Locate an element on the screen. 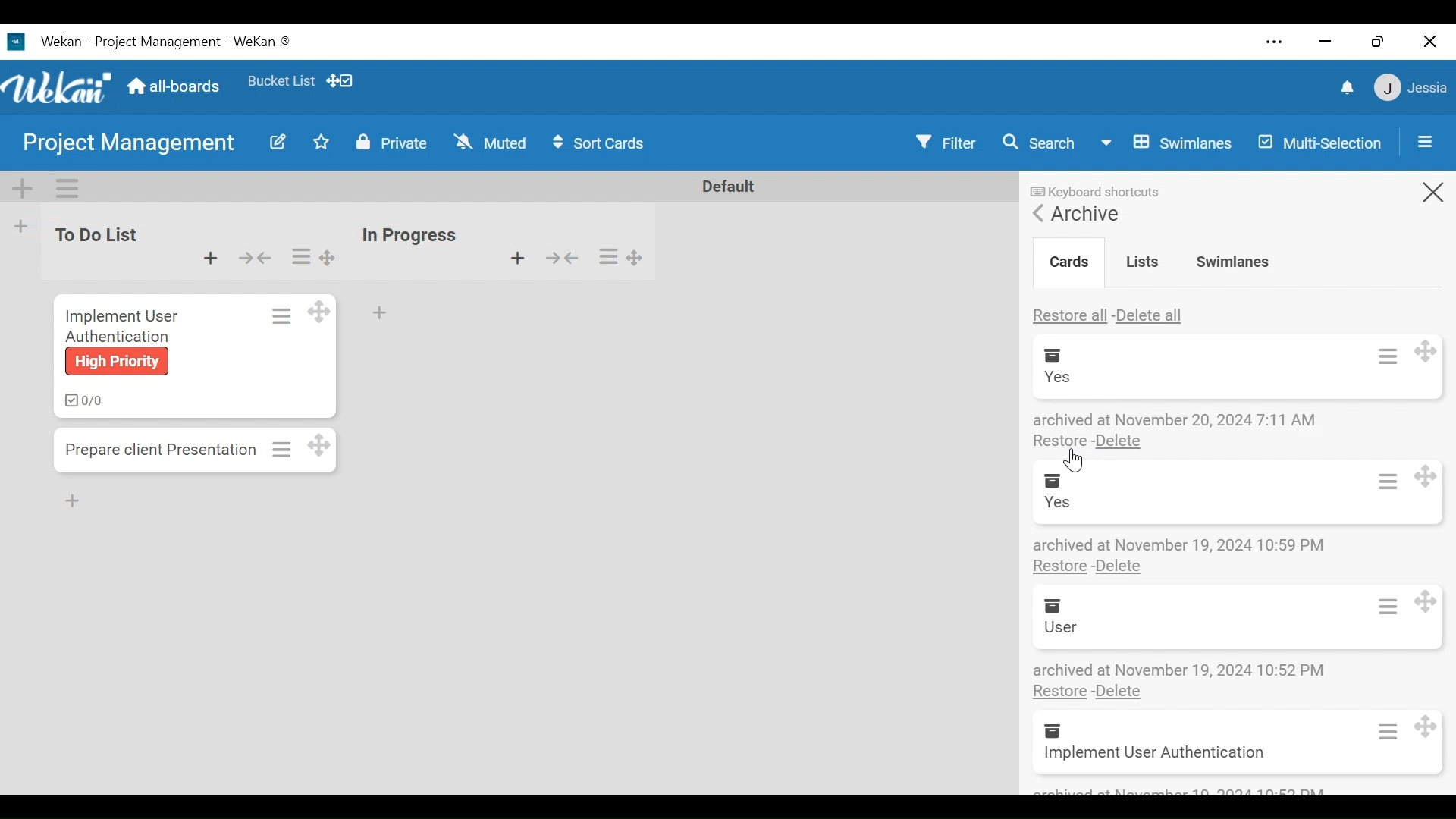  Archive is located at coordinates (1085, 214).